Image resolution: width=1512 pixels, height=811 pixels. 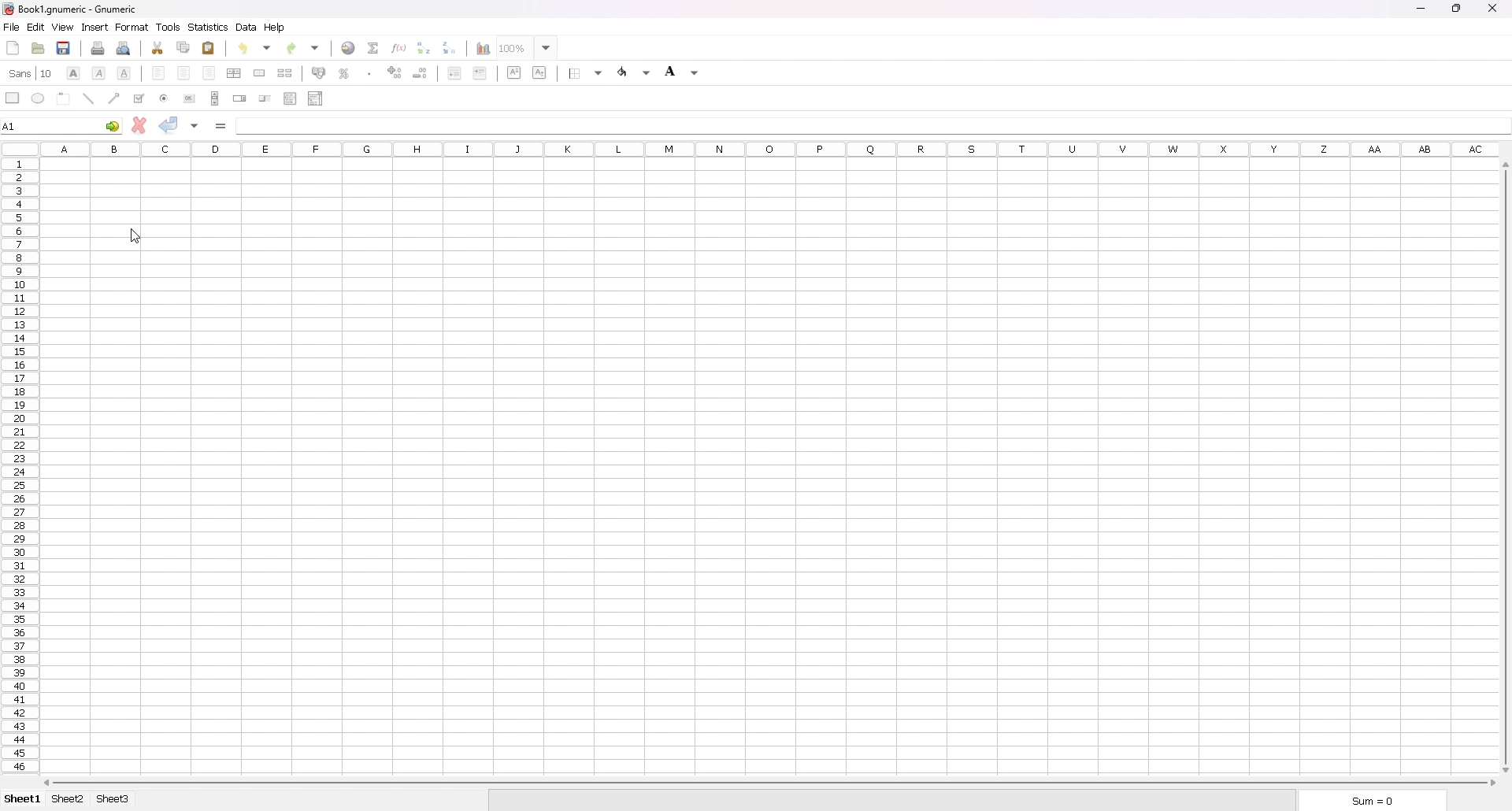 What do you see at coordinates (39, 98) in the screenshot?
I see `ellipse` at bounding box center [39, 98].